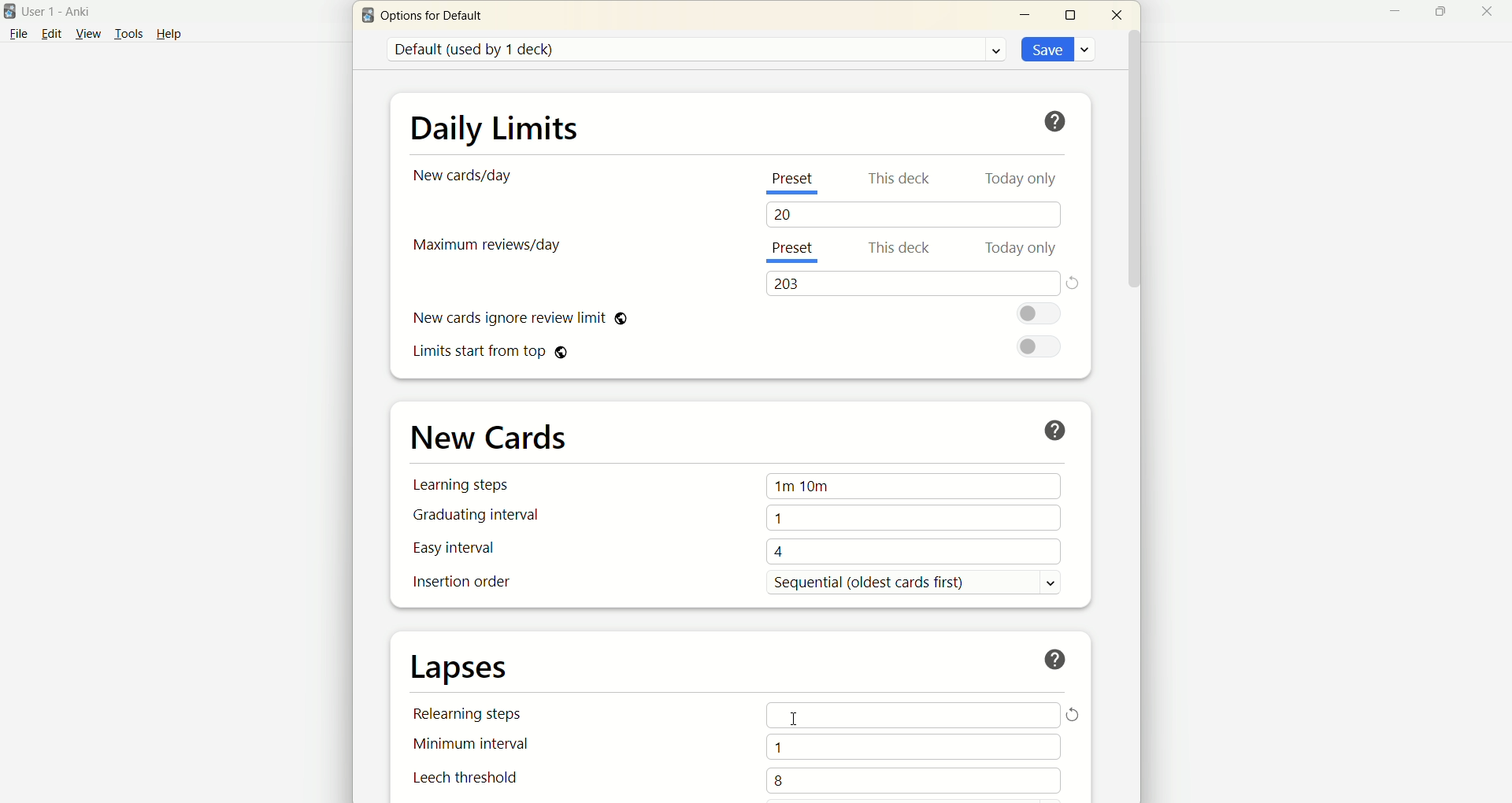  I want to click on view, so click(87, 34).